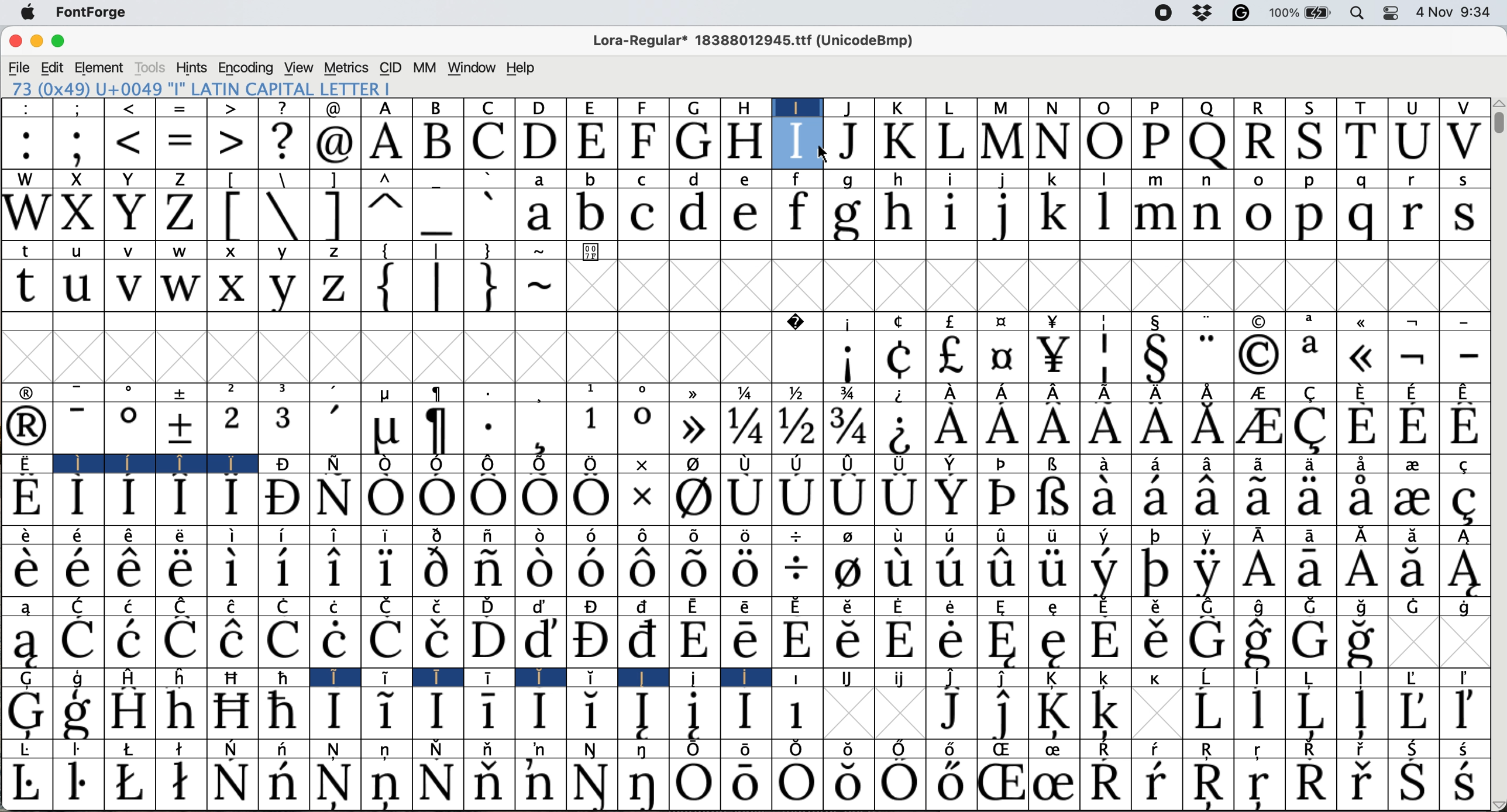 The height and width of the screenshot is (812, 1507). What do you see at coordinates (232, 180) in the screenshot?
I see `[` at bounding box center [232, 180].